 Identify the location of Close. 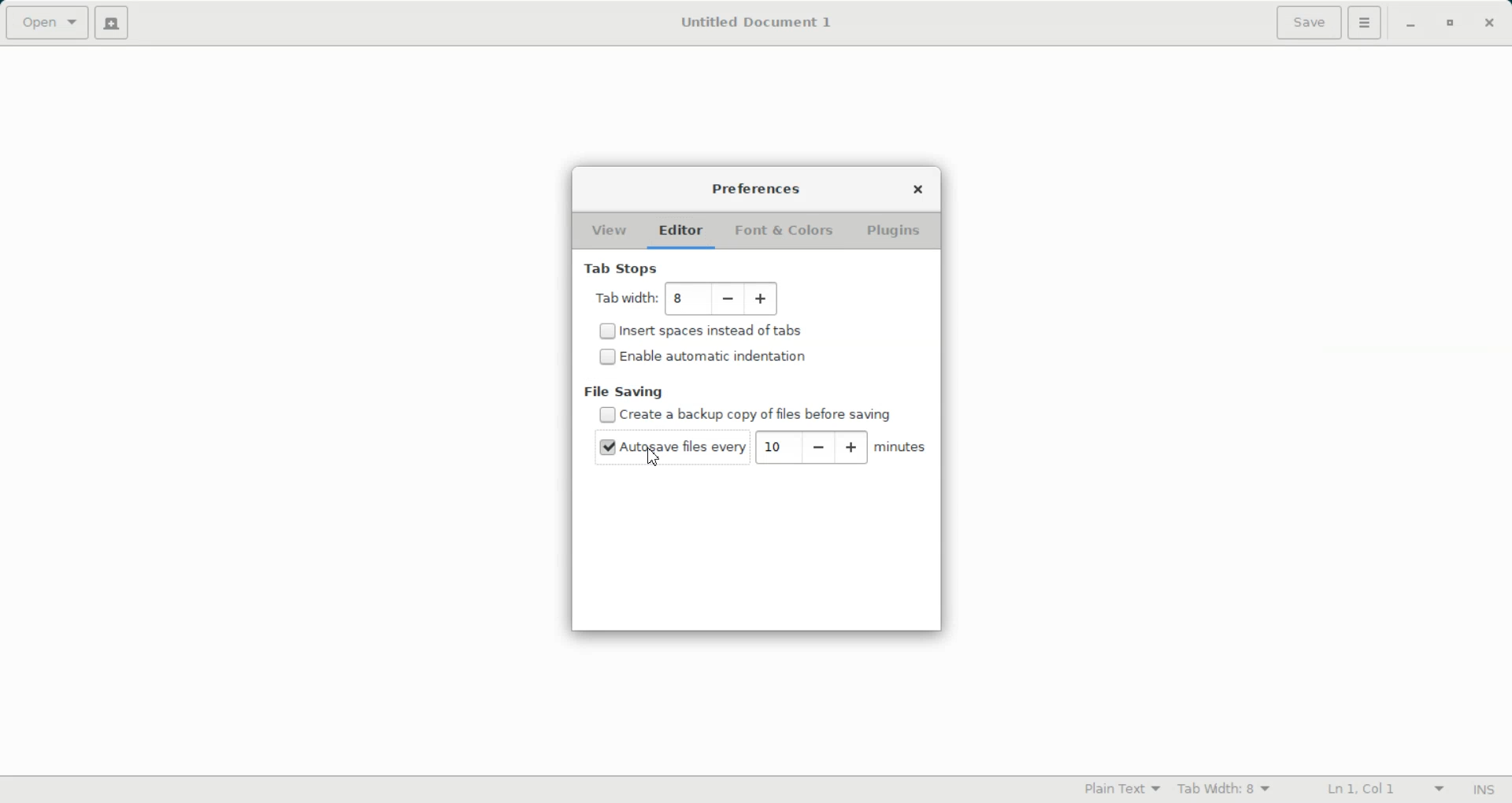
(918, 190).